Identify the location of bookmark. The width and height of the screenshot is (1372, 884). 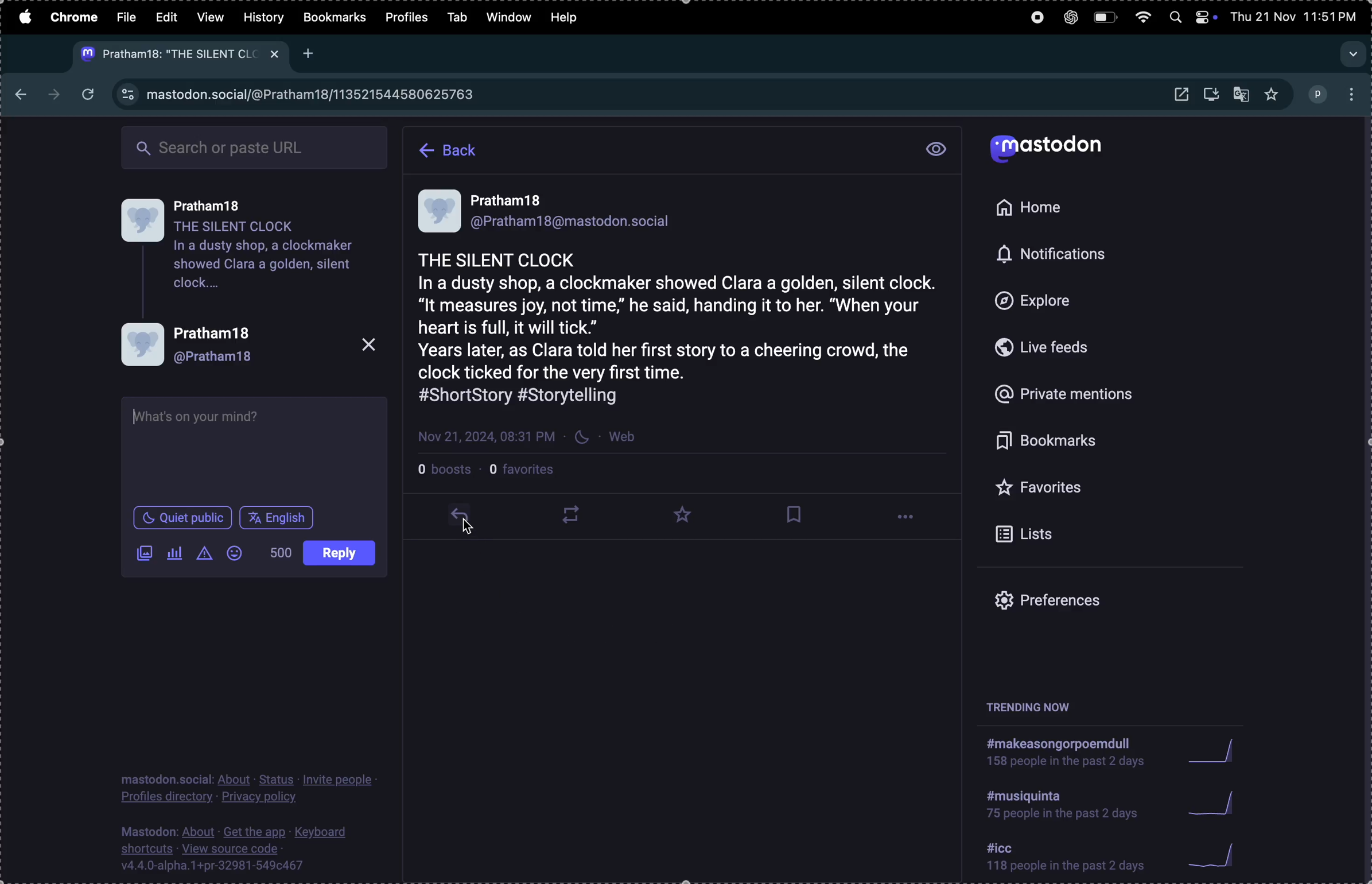
(795, 514).